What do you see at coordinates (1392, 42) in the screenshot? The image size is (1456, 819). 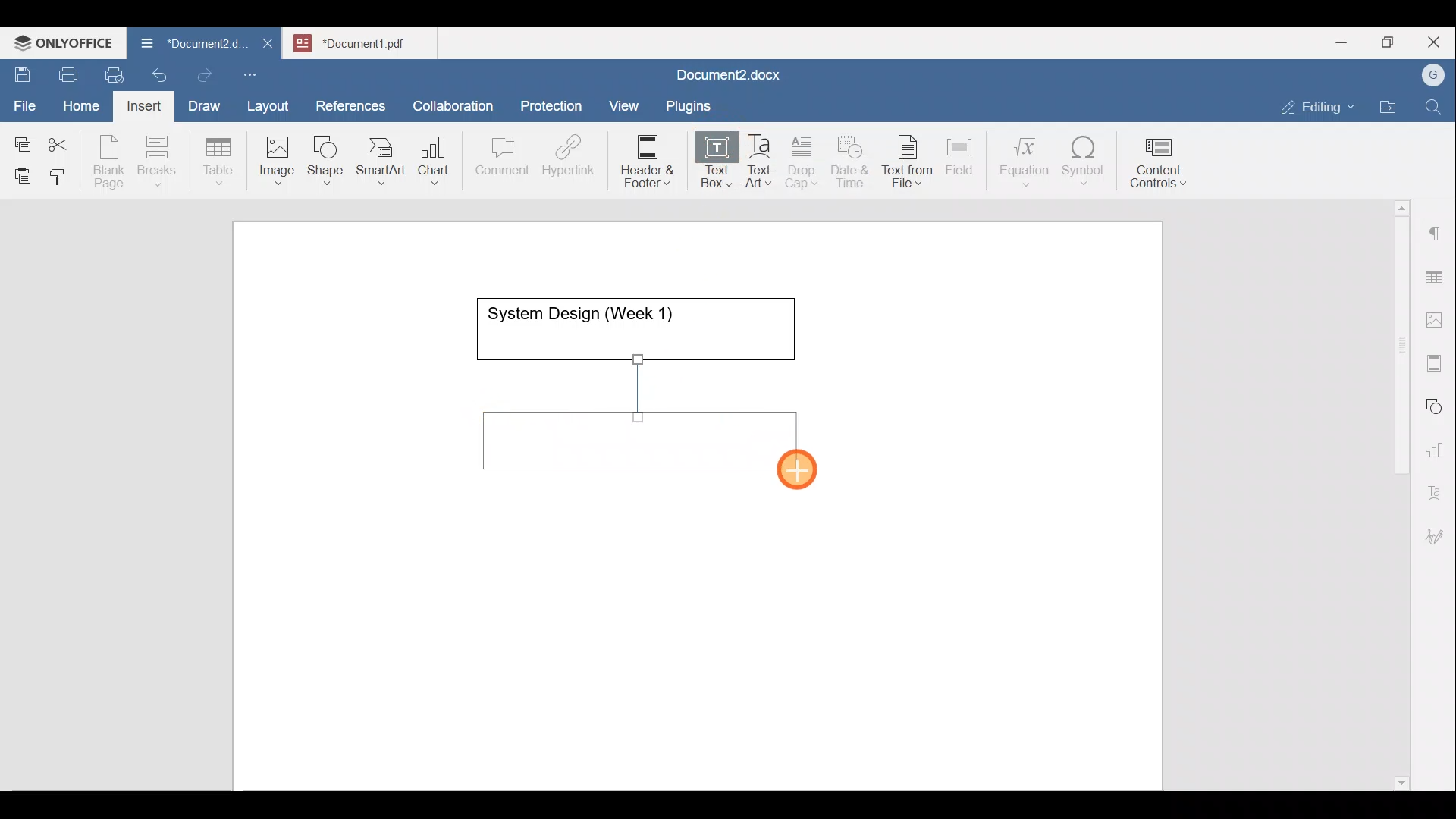 I see `Maximize` at bounding box center [1392, 42].